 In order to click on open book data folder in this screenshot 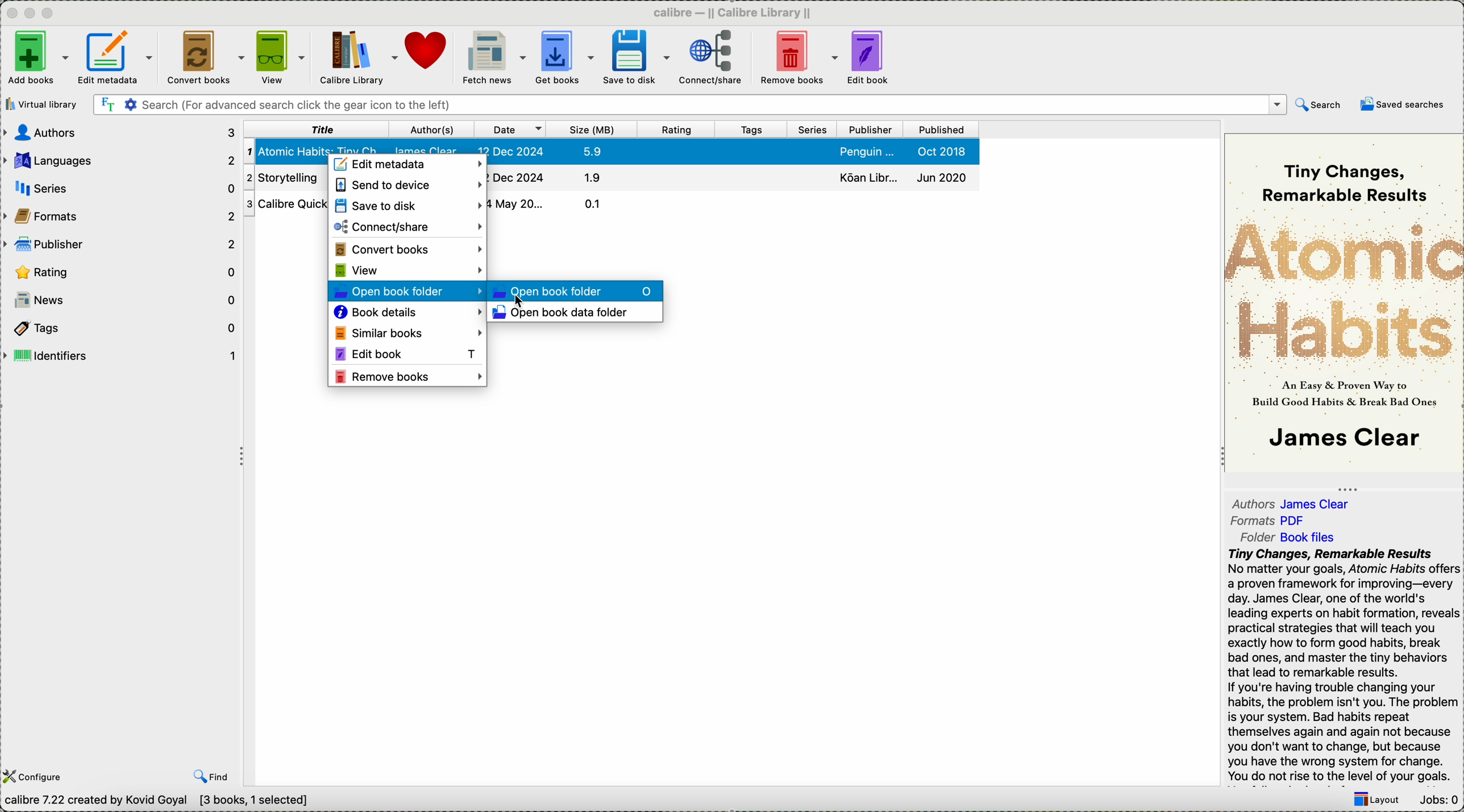, I will do `click(565, 314)`.